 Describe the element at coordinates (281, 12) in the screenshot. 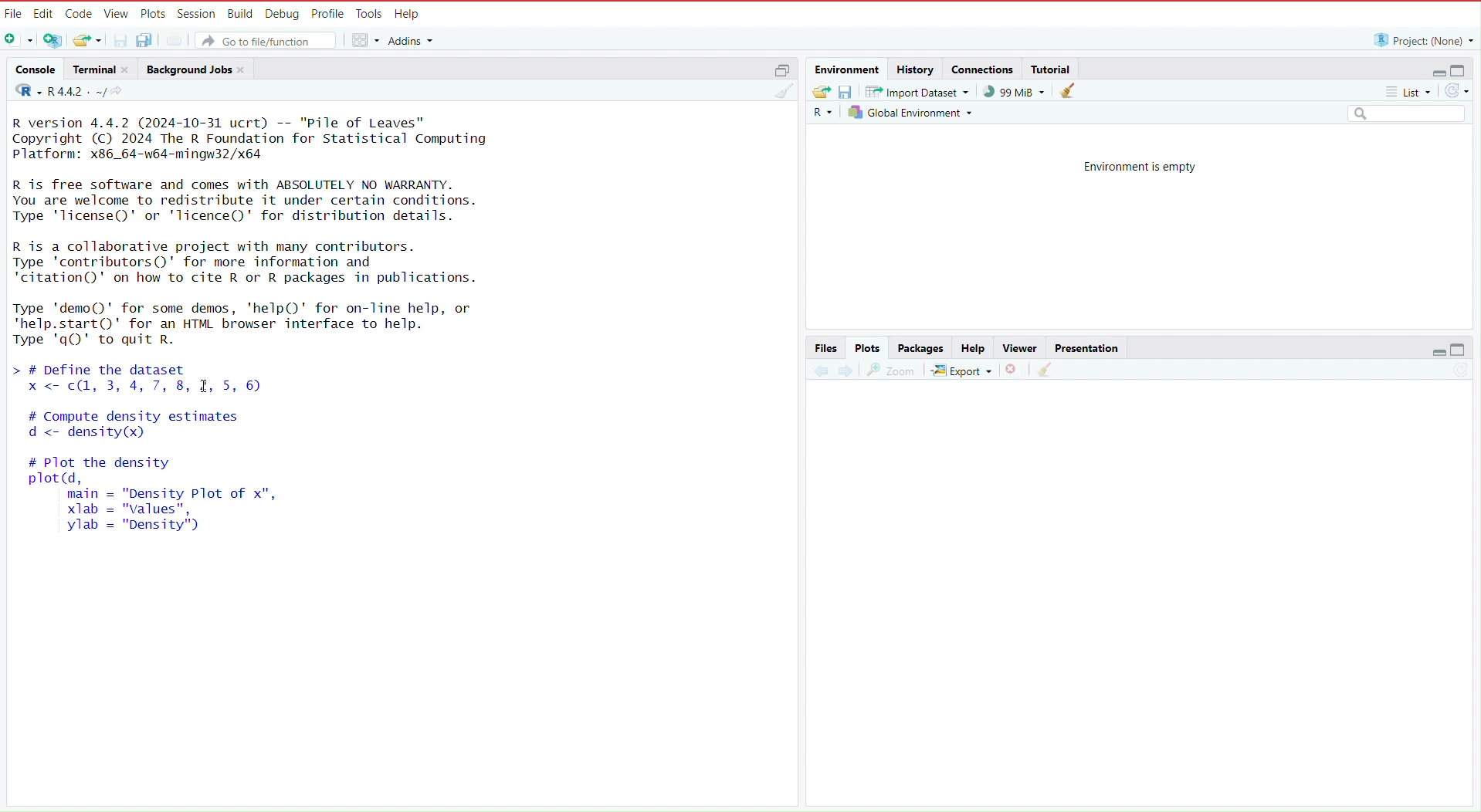

I see `debug` at that location.